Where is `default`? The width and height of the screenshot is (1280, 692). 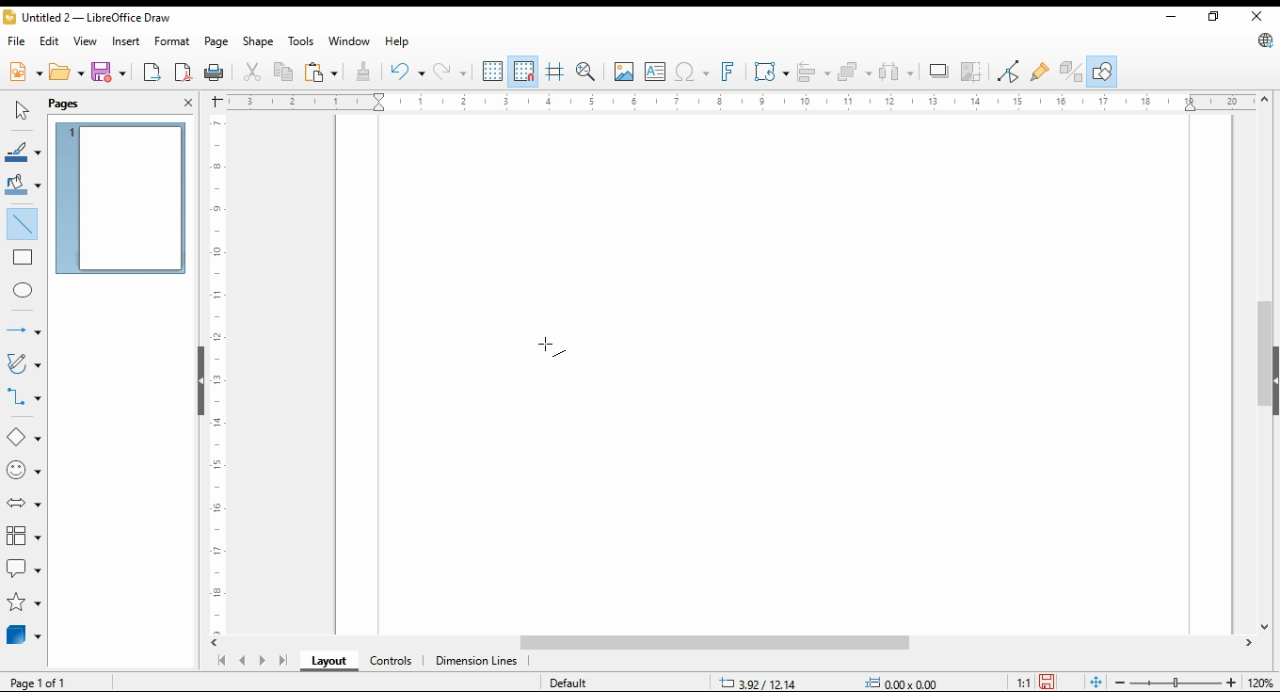
default is located at coordinates (567, 682).